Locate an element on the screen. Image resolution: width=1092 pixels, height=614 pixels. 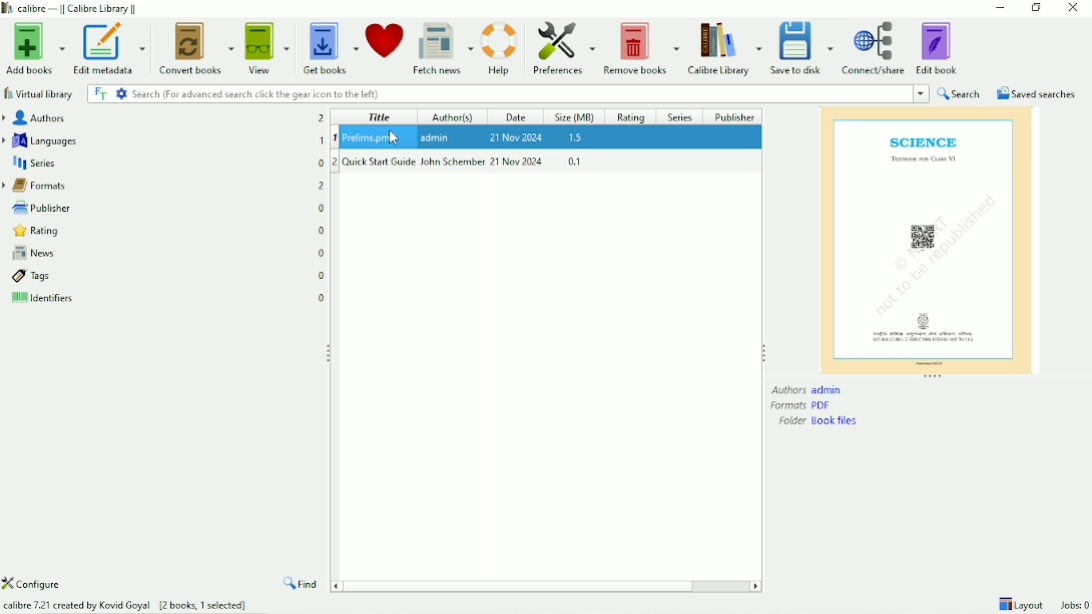
Donate is located at coordinates (385, 45).